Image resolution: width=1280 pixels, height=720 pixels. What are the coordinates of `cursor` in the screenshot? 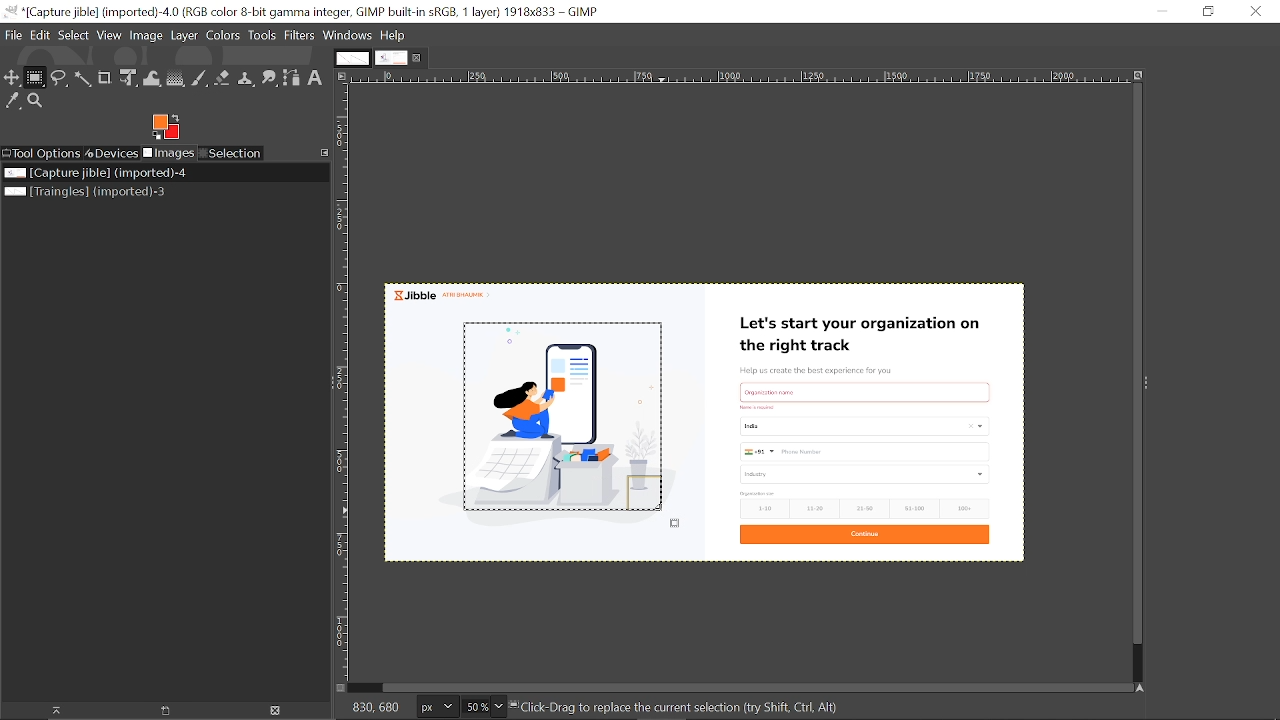 It's located at (665, 518).